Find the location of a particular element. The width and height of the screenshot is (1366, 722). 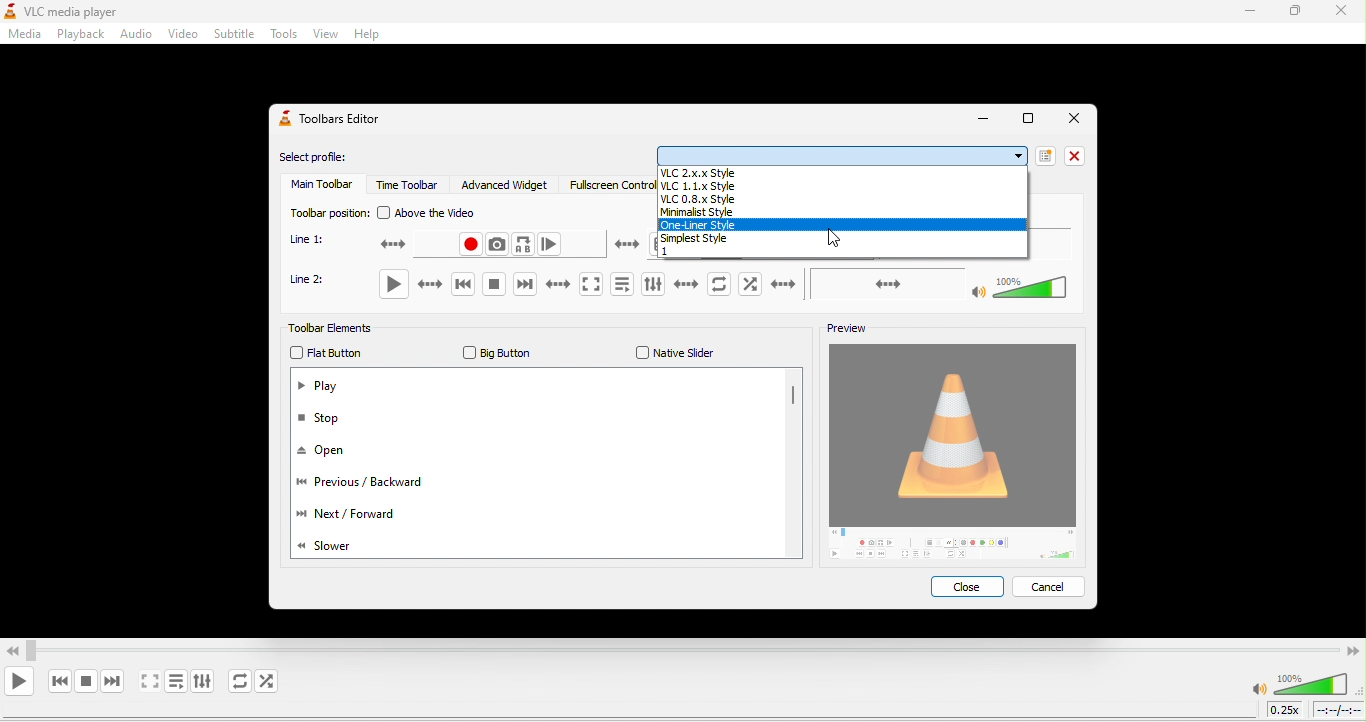

show extended settings is located at coordinates (203, 684).